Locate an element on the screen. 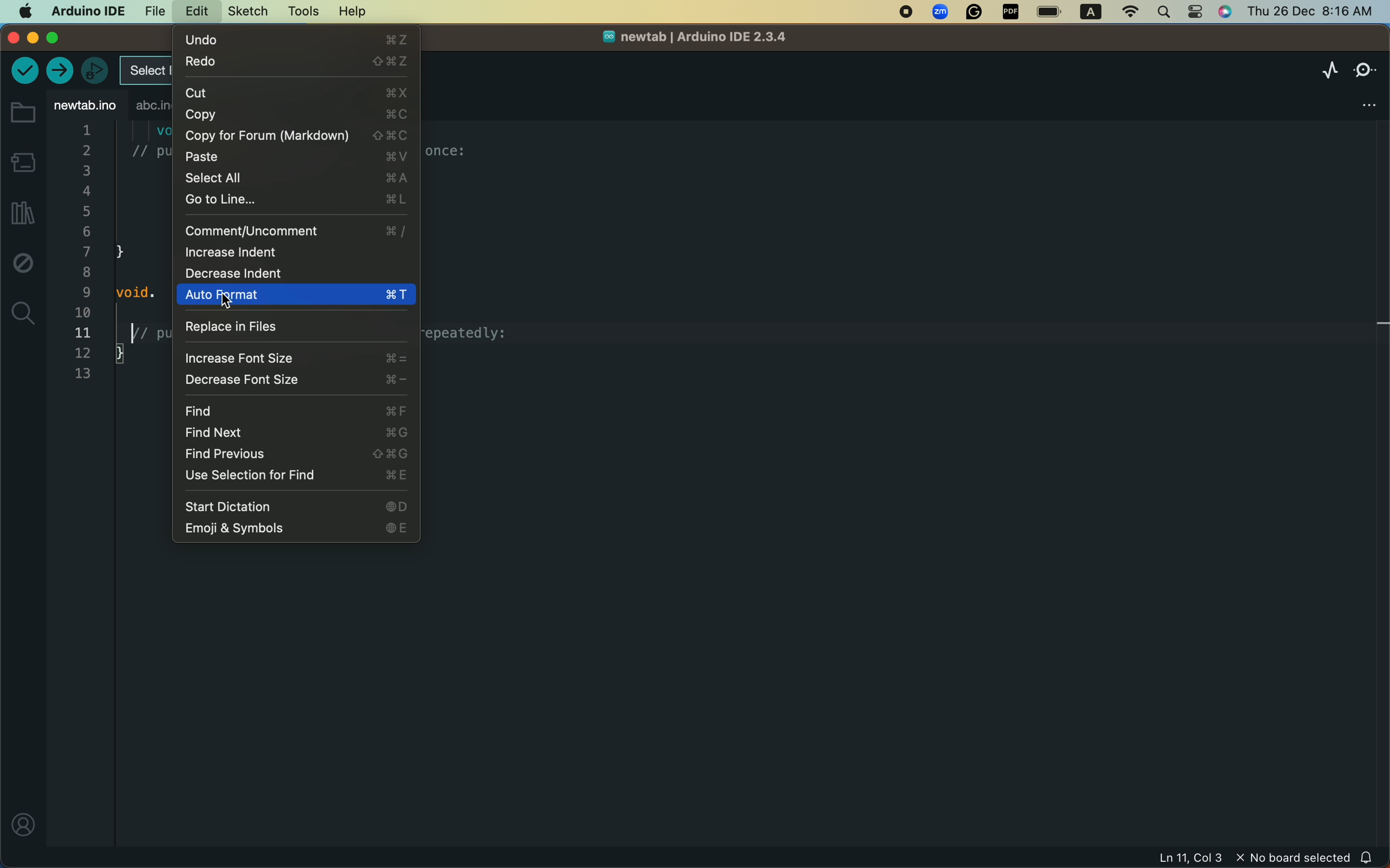  abc is located at coordinates (149, 107).